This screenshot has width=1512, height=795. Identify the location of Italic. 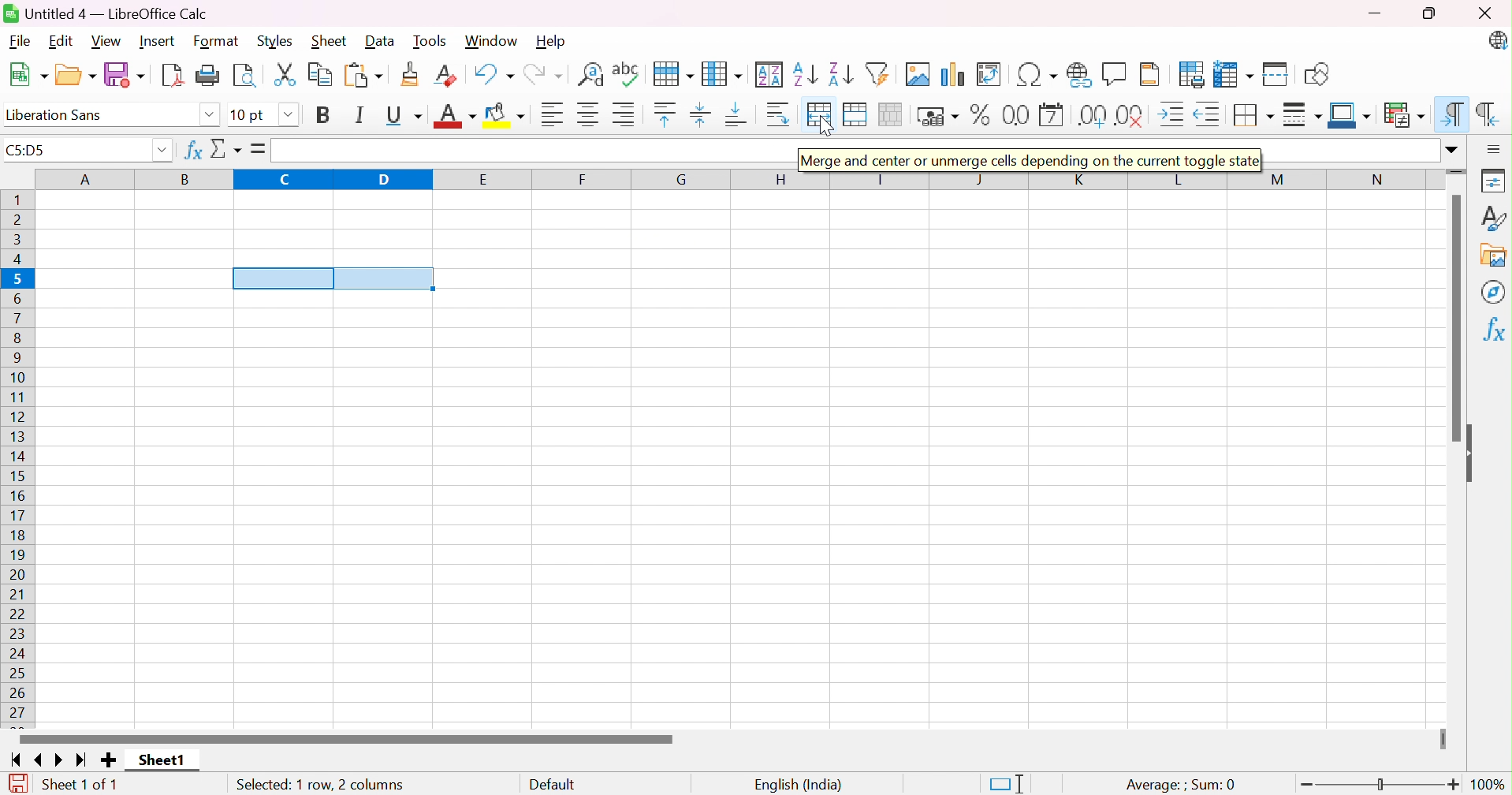
(362, 114).